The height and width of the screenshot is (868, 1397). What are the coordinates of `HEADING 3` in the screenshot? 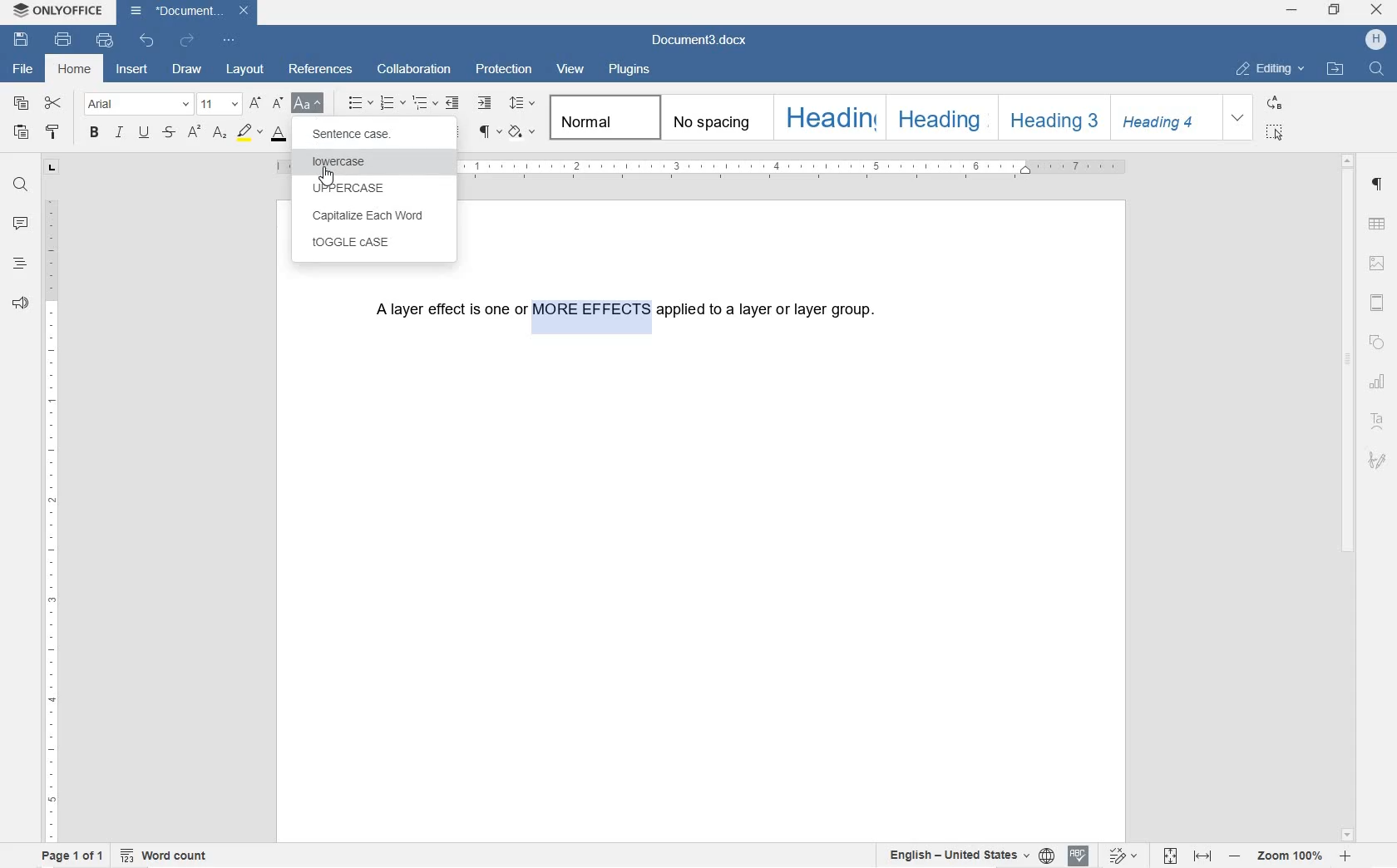 It's located at (1052, 118).